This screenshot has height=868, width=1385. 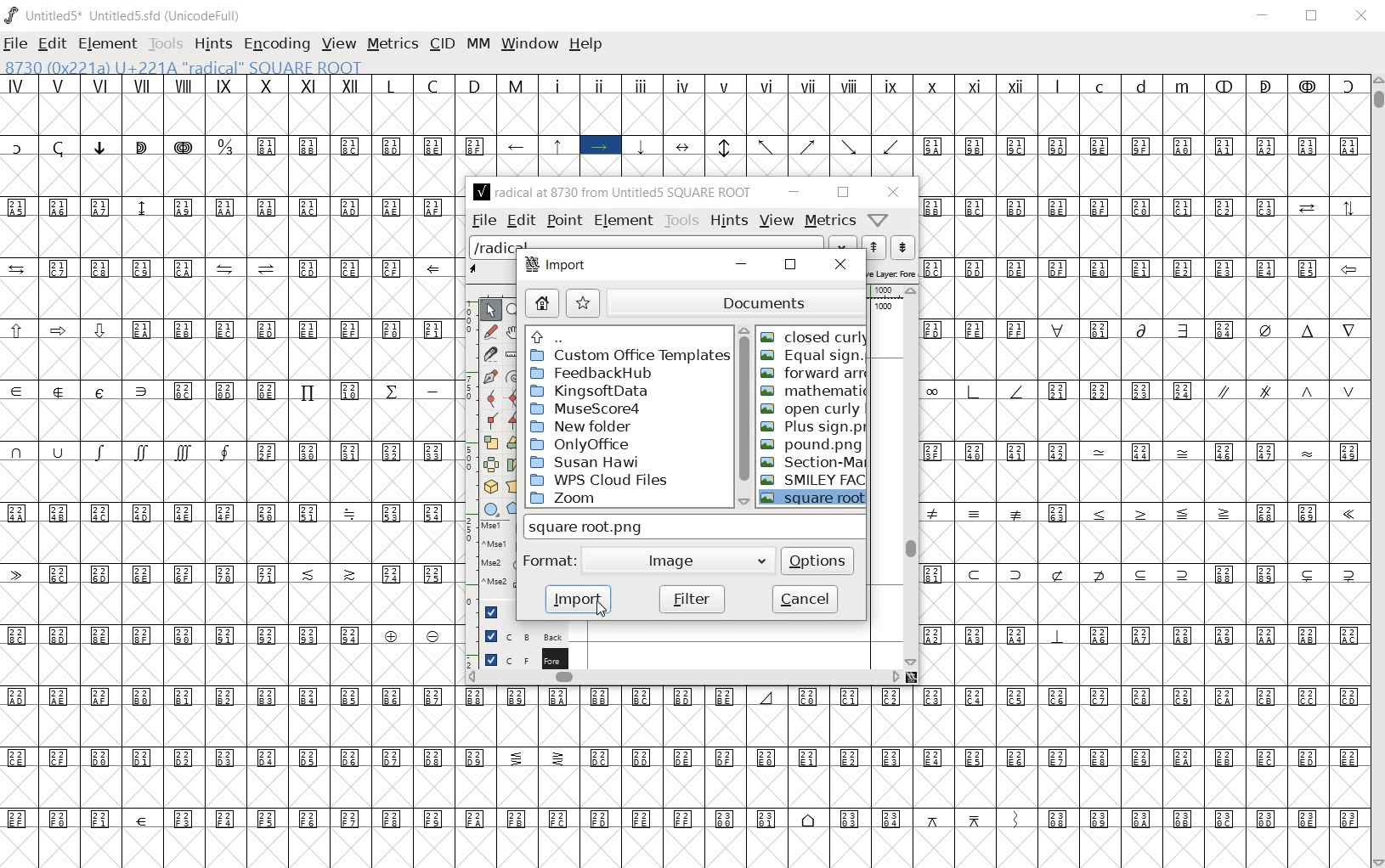 I want to click on minimize, so click(x=792, y=192).